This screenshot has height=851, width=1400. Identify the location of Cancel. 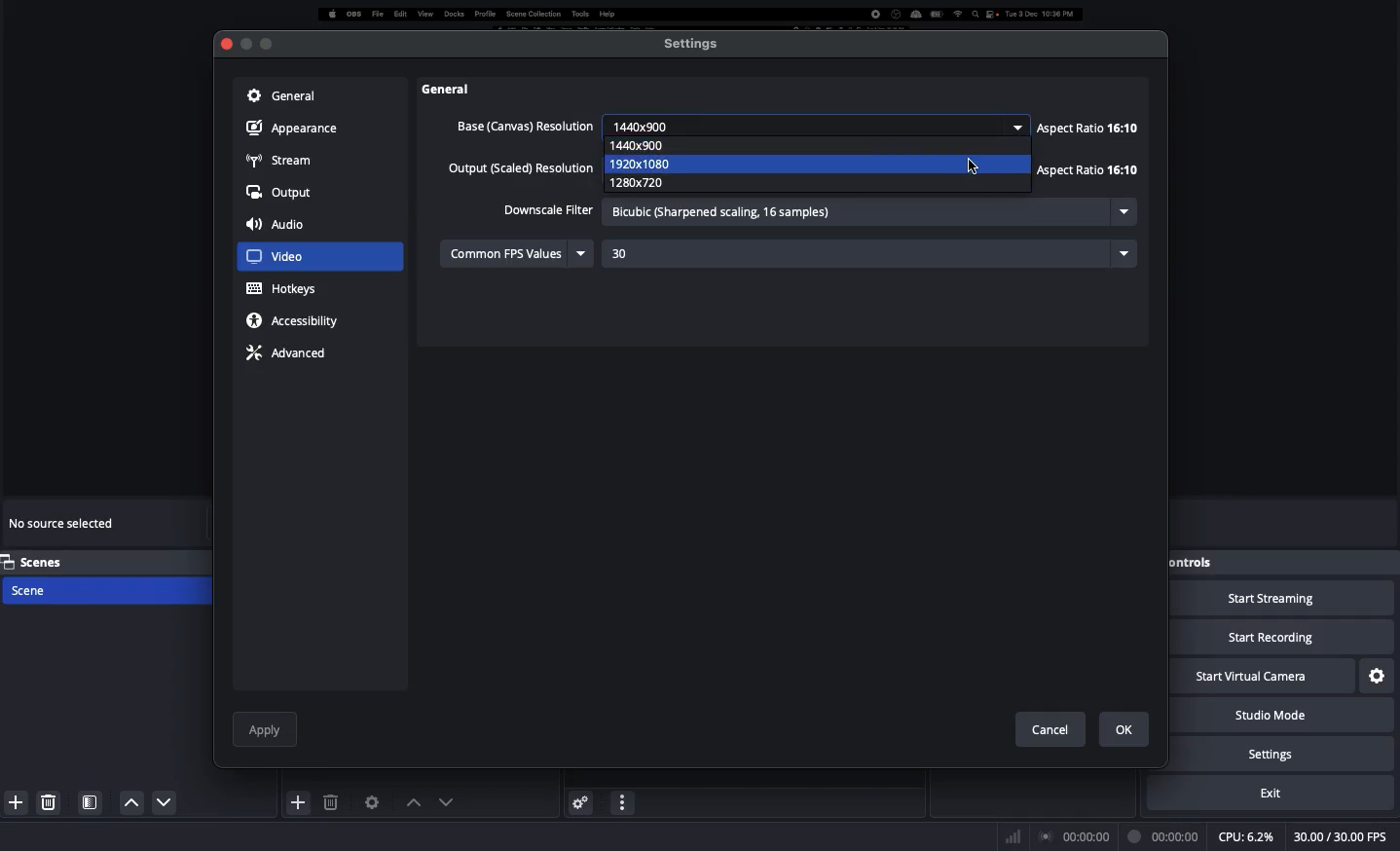
(1044, 725).